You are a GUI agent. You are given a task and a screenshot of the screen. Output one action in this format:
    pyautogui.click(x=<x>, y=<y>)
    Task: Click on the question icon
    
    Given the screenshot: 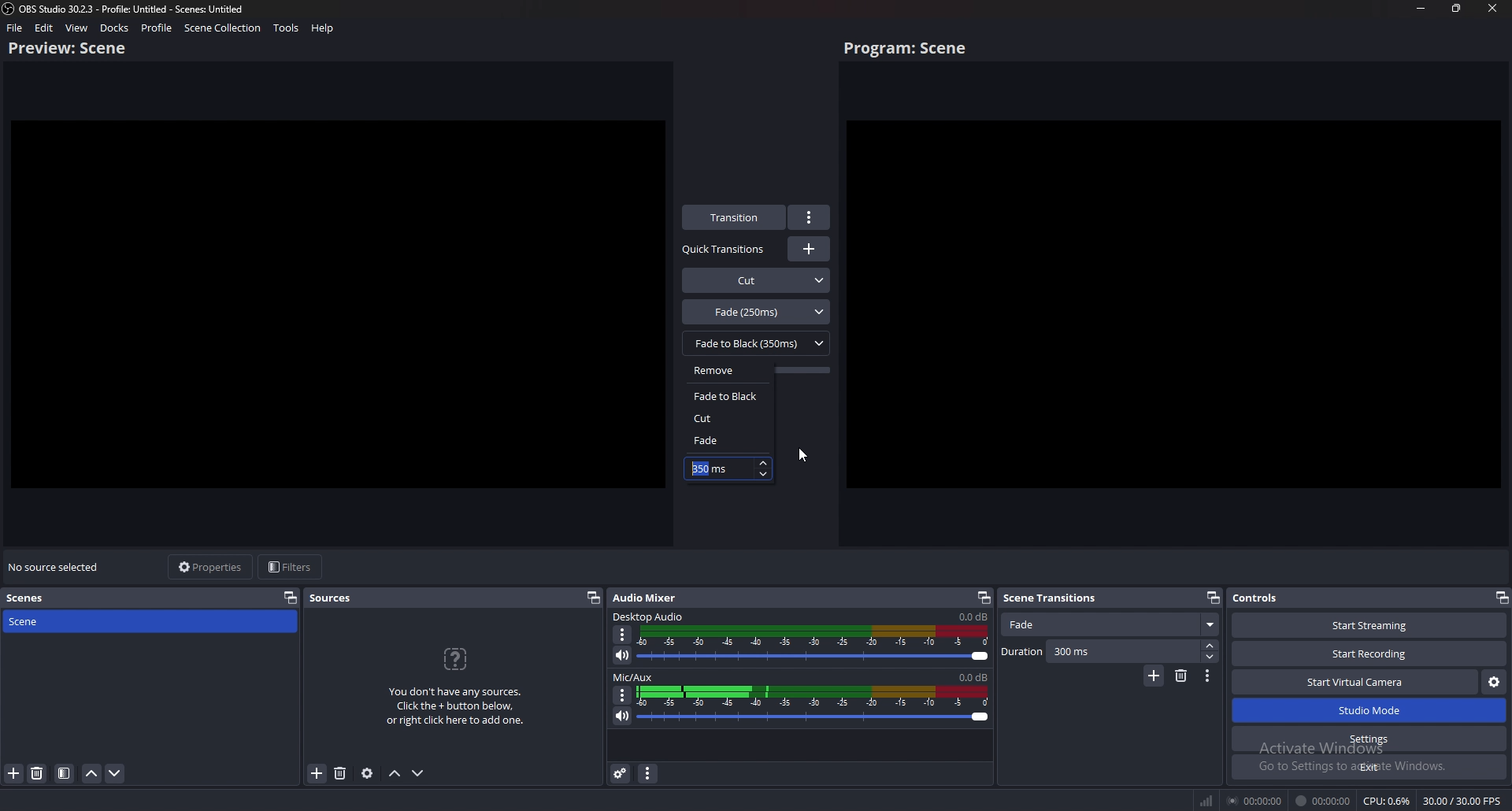 What is the action you would take?
    pyautogui.click(x=457, y=659)
    